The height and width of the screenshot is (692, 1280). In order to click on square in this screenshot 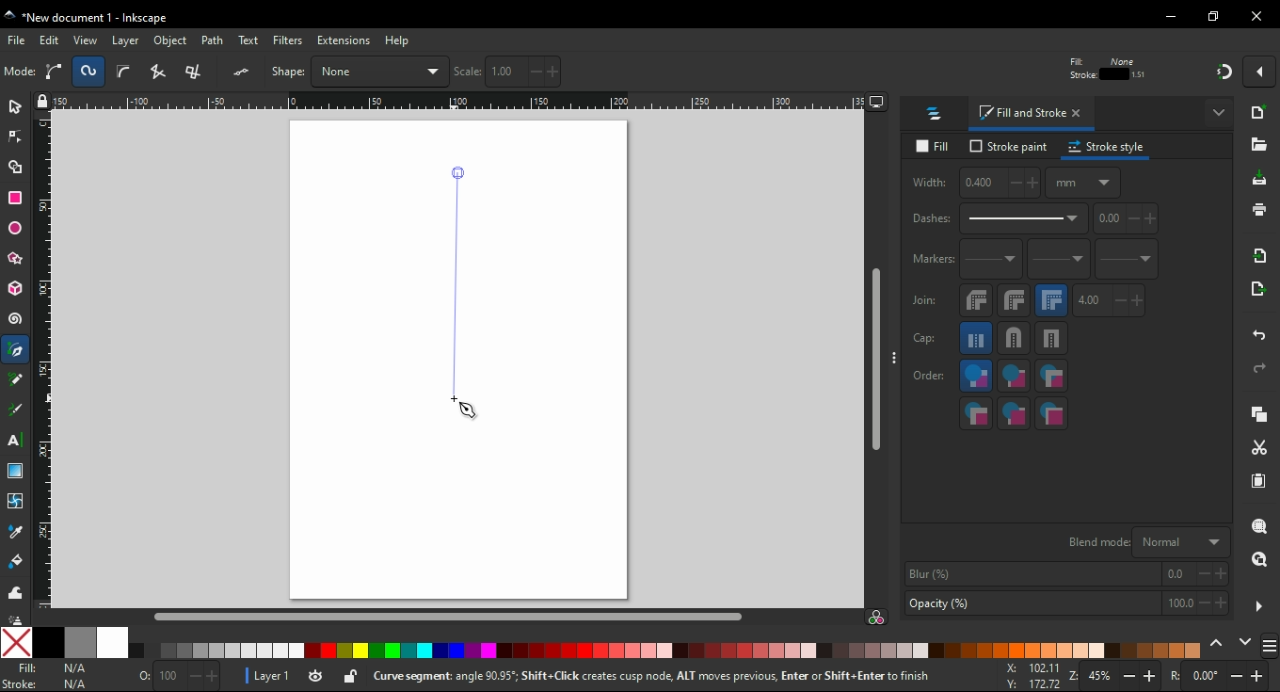, I will do `click(1052, 338)`.